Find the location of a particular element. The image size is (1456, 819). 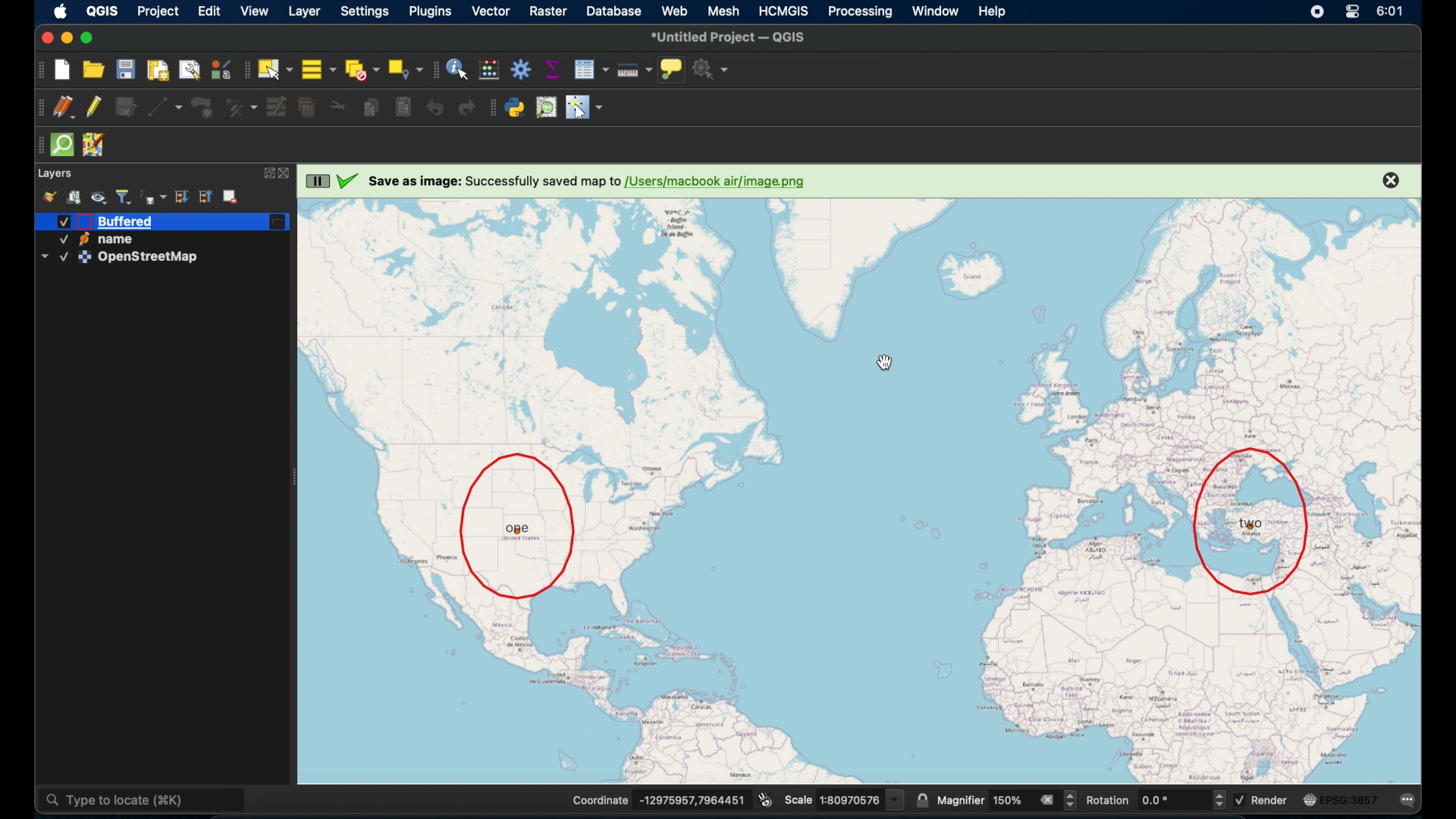

icon is located at coordinates (1309, 800).